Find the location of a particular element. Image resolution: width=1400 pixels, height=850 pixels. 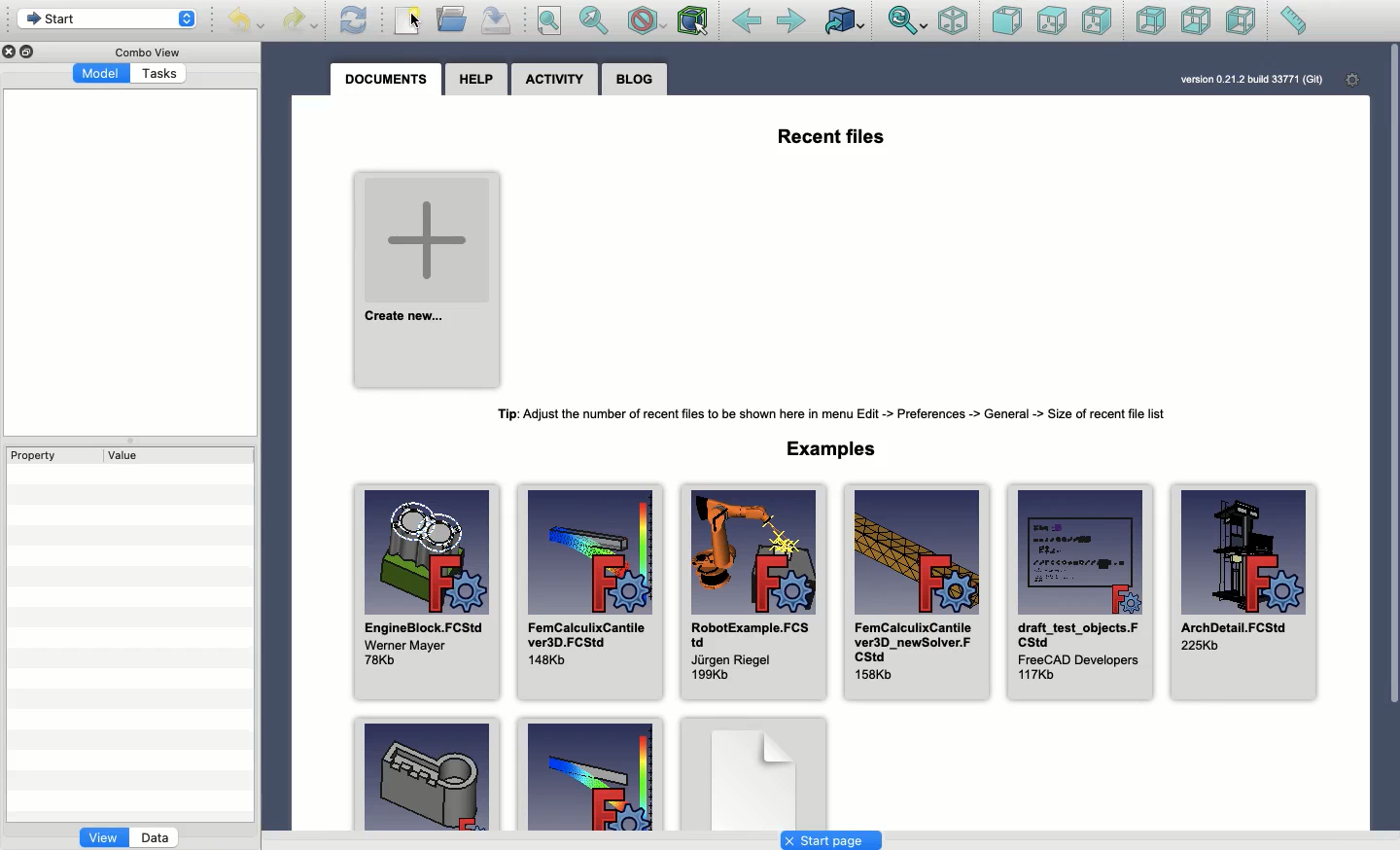

Help is located at coordinates (472, 79).